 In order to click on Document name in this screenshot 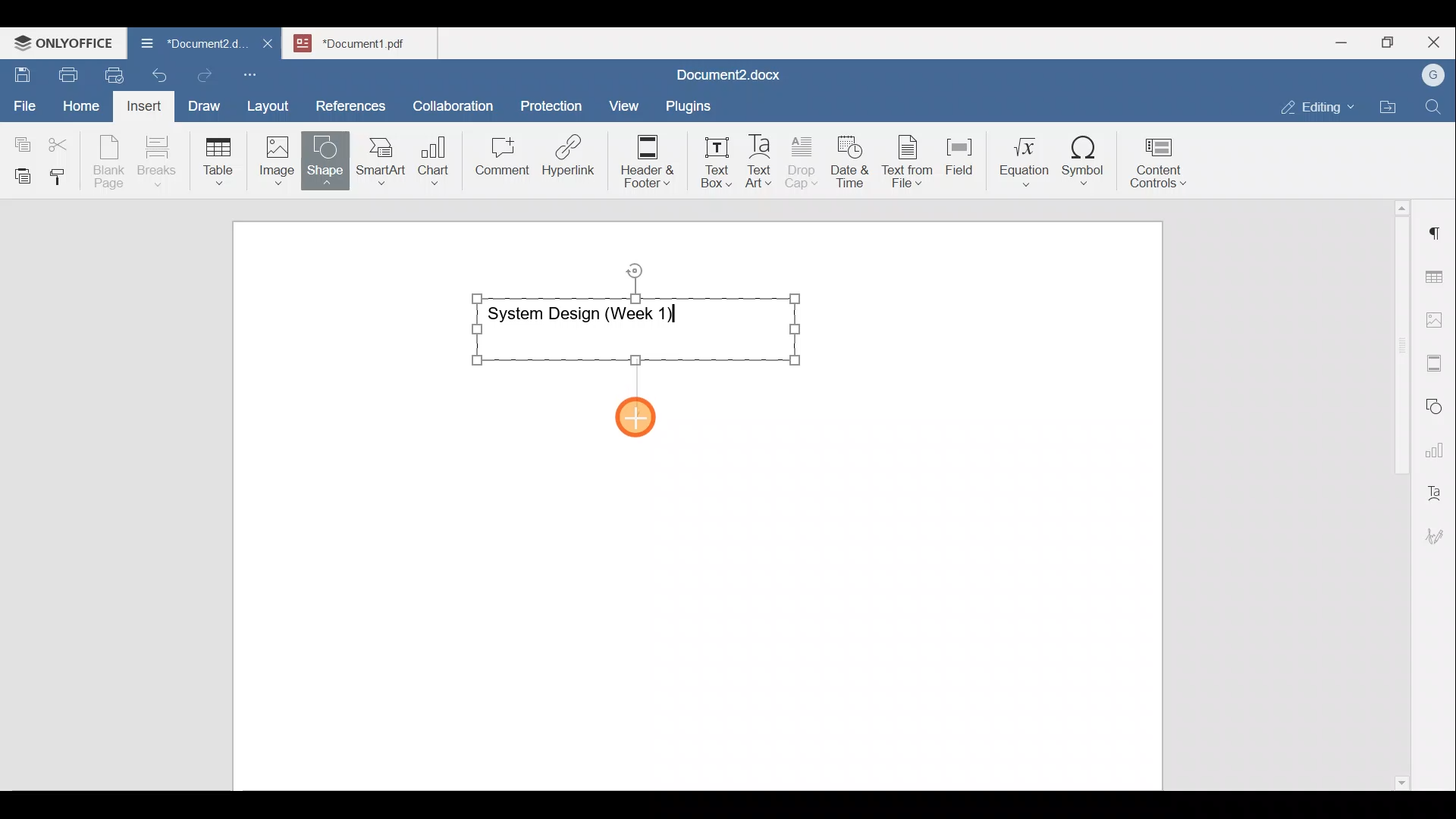, I will do `click(725, 77)`.